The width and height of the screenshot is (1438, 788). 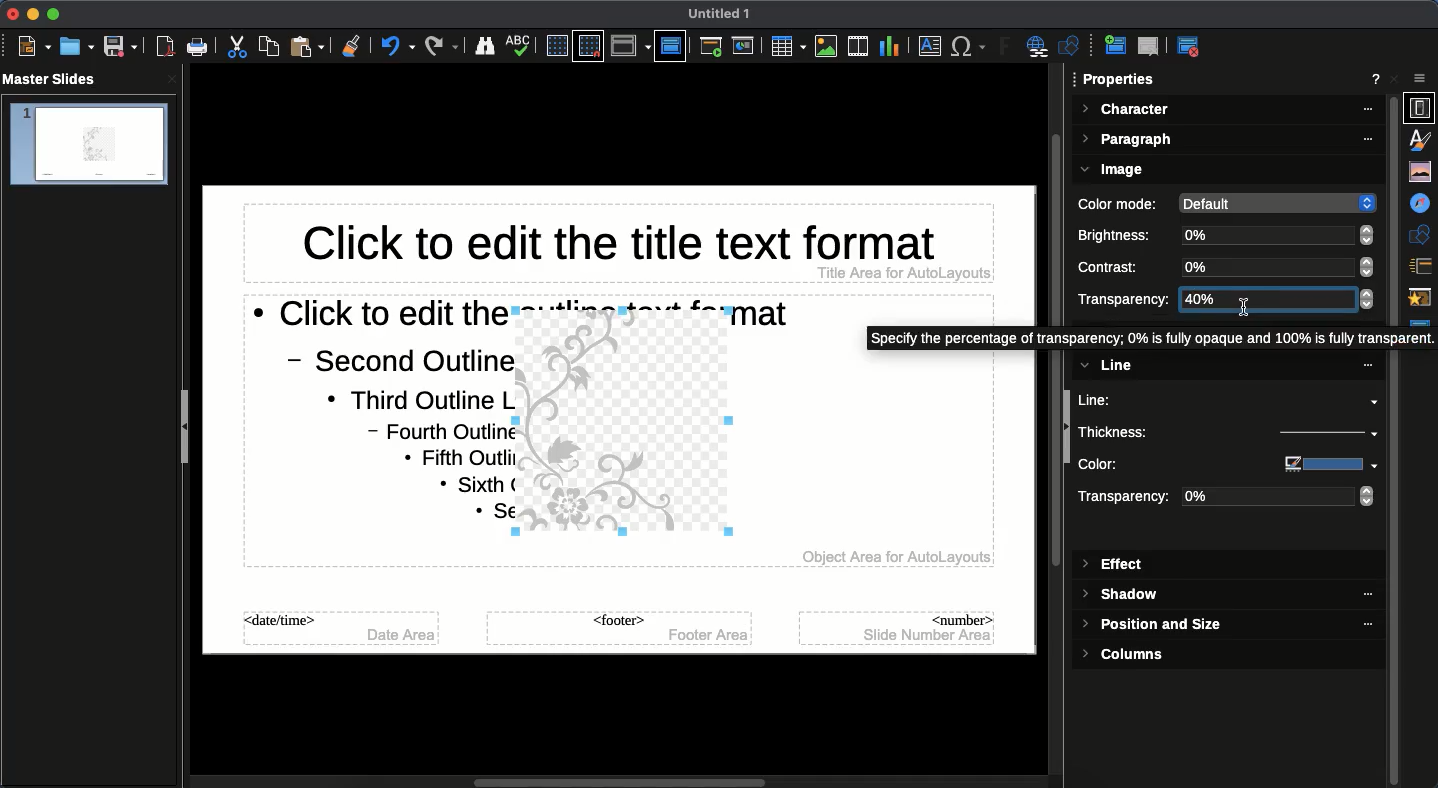 What do you see at coordinates (628, 428) in the screenshot?
I see `Image added` at bounding box center [628, 428].